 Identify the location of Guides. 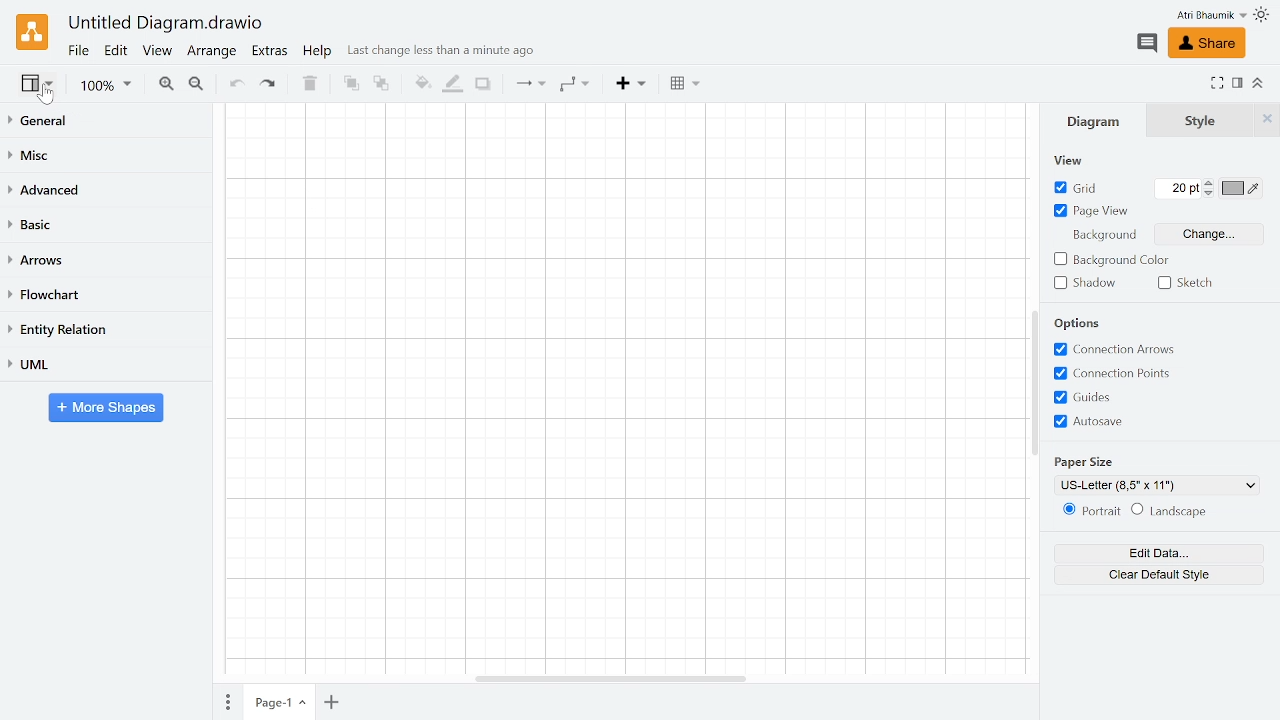
(1121, 398).